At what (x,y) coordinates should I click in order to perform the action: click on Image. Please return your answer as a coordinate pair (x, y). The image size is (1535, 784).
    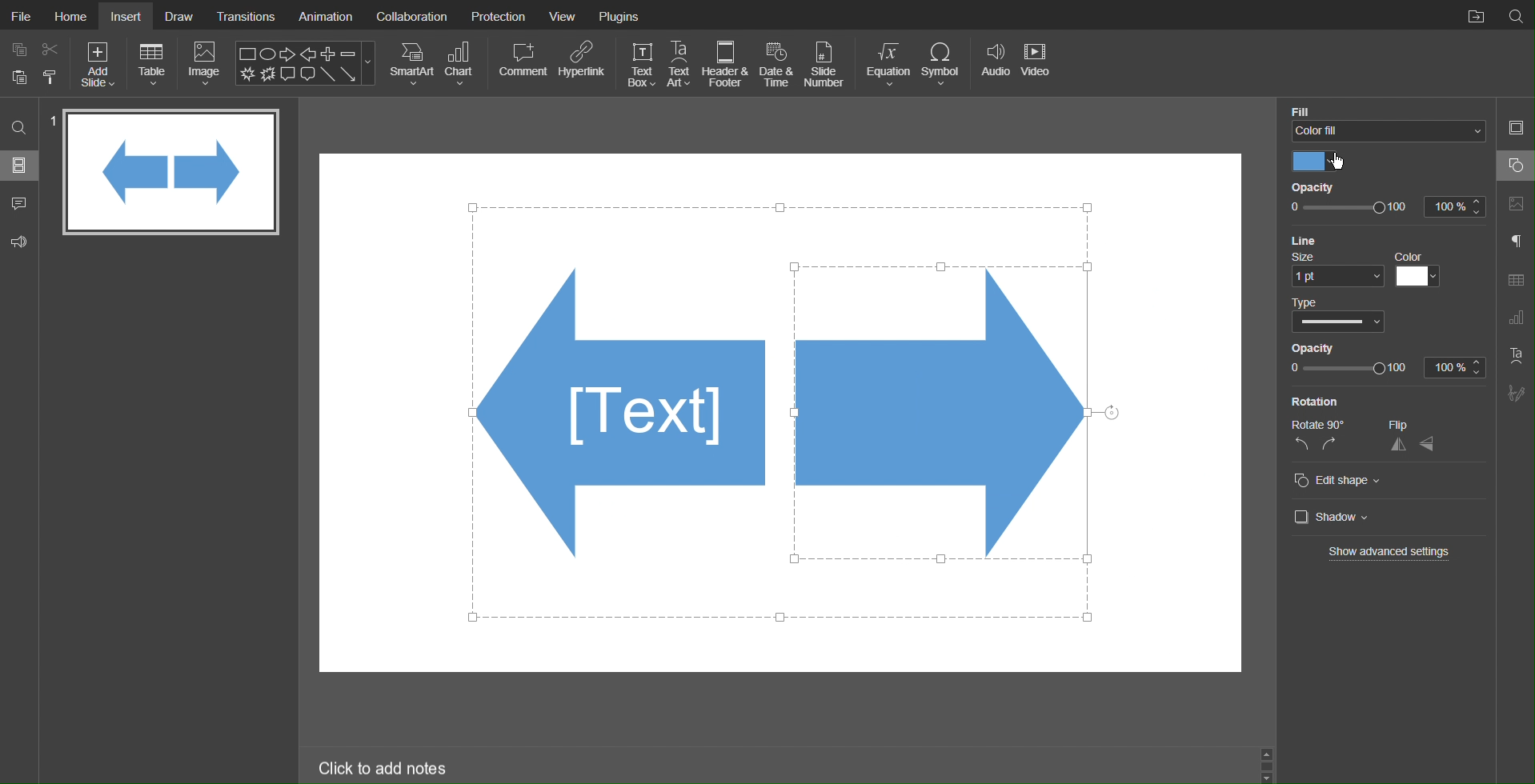
    Looking at the image, I should click on (205, 63).